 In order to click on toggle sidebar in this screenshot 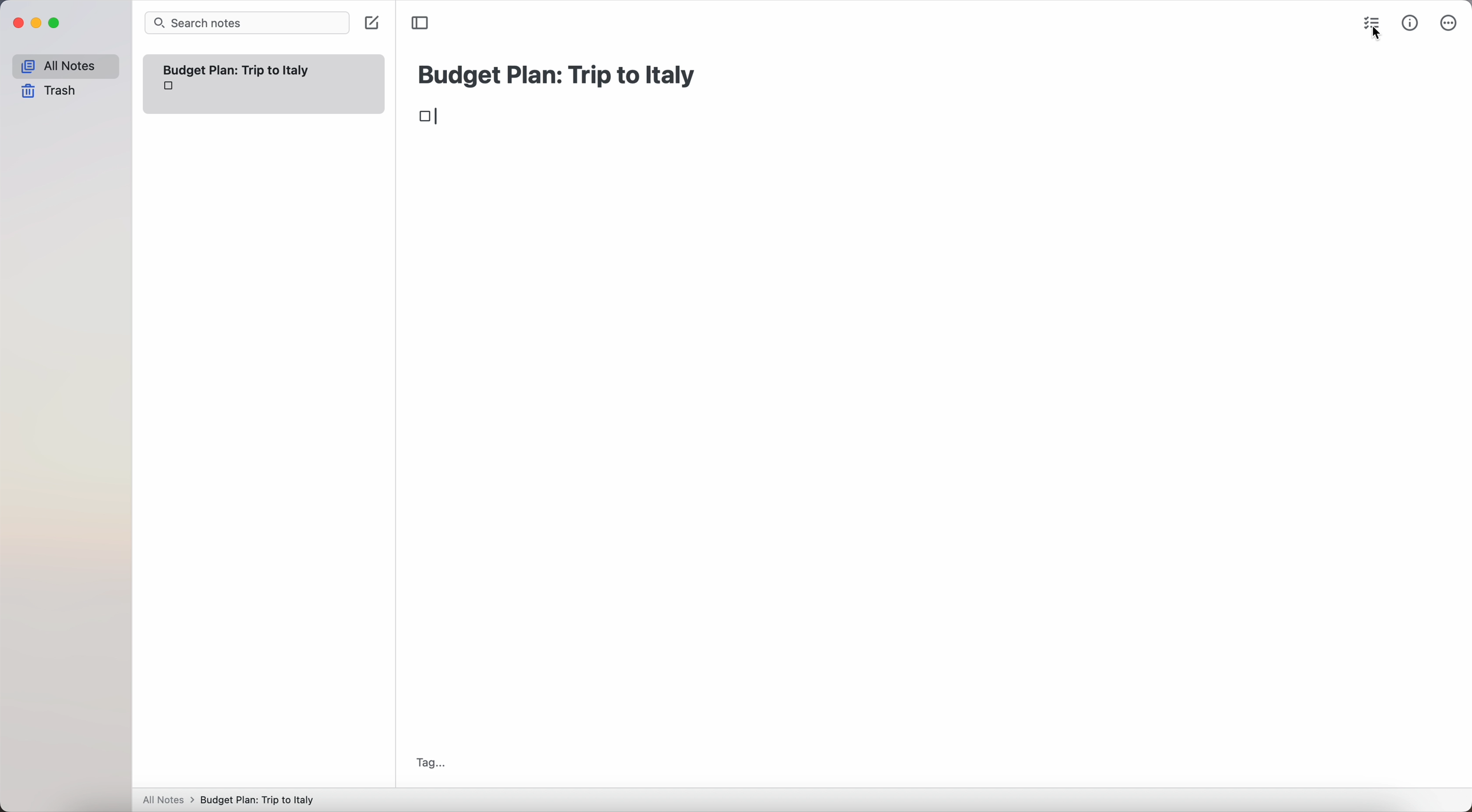, I will do `click(421, 22)`.